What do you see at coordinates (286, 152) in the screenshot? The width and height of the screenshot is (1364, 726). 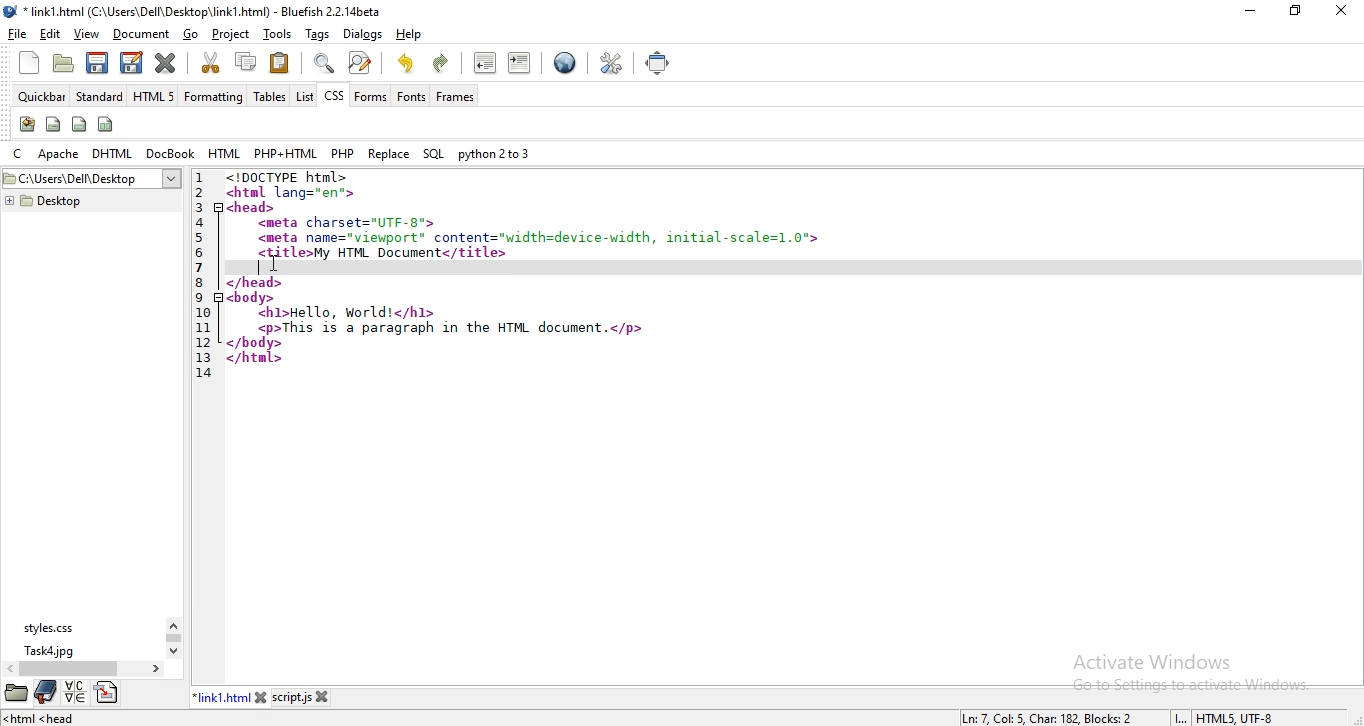 I see `php + html` at bounding box center [286, 152].